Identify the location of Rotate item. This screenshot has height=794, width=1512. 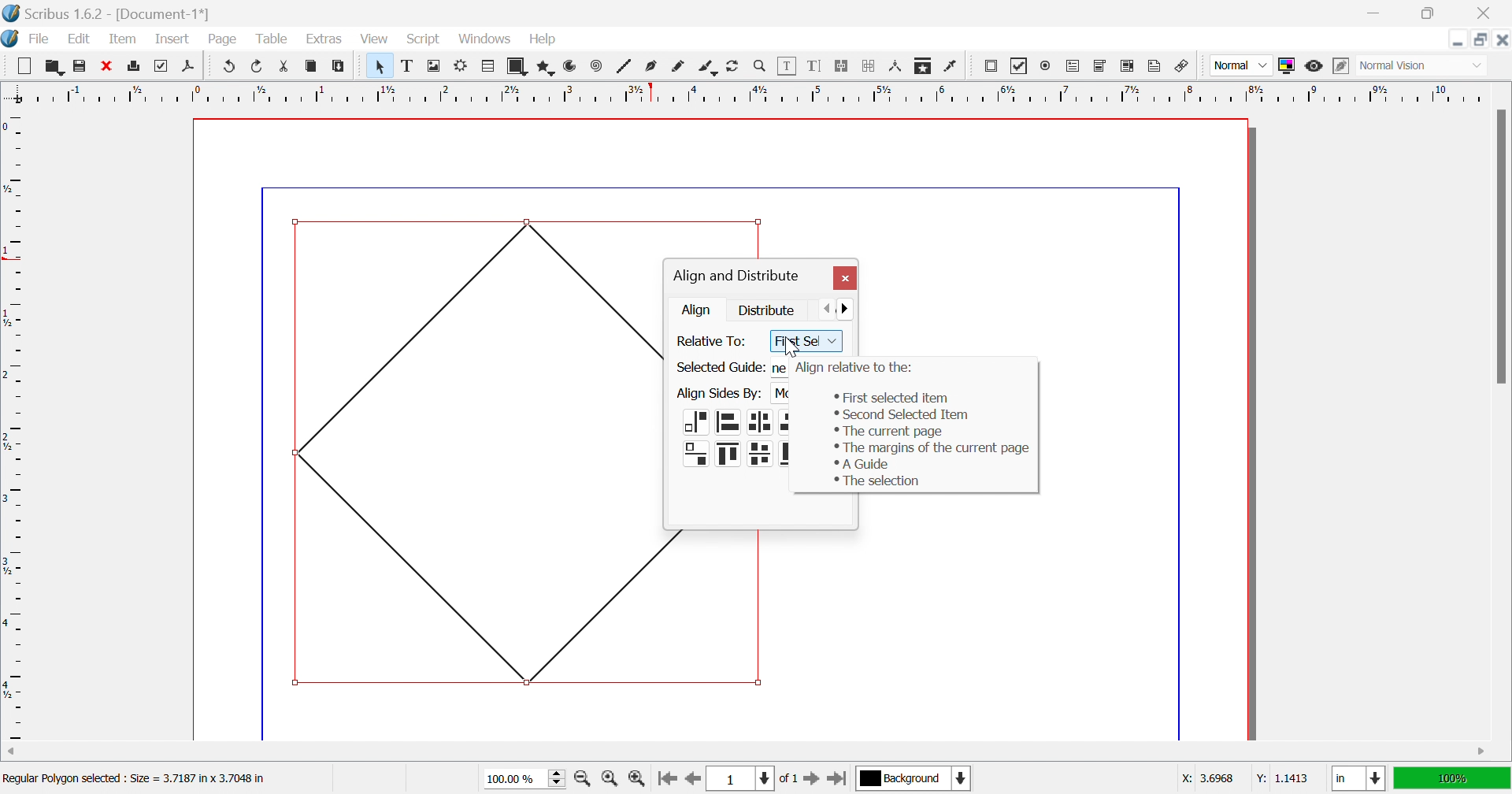
(732, 66).